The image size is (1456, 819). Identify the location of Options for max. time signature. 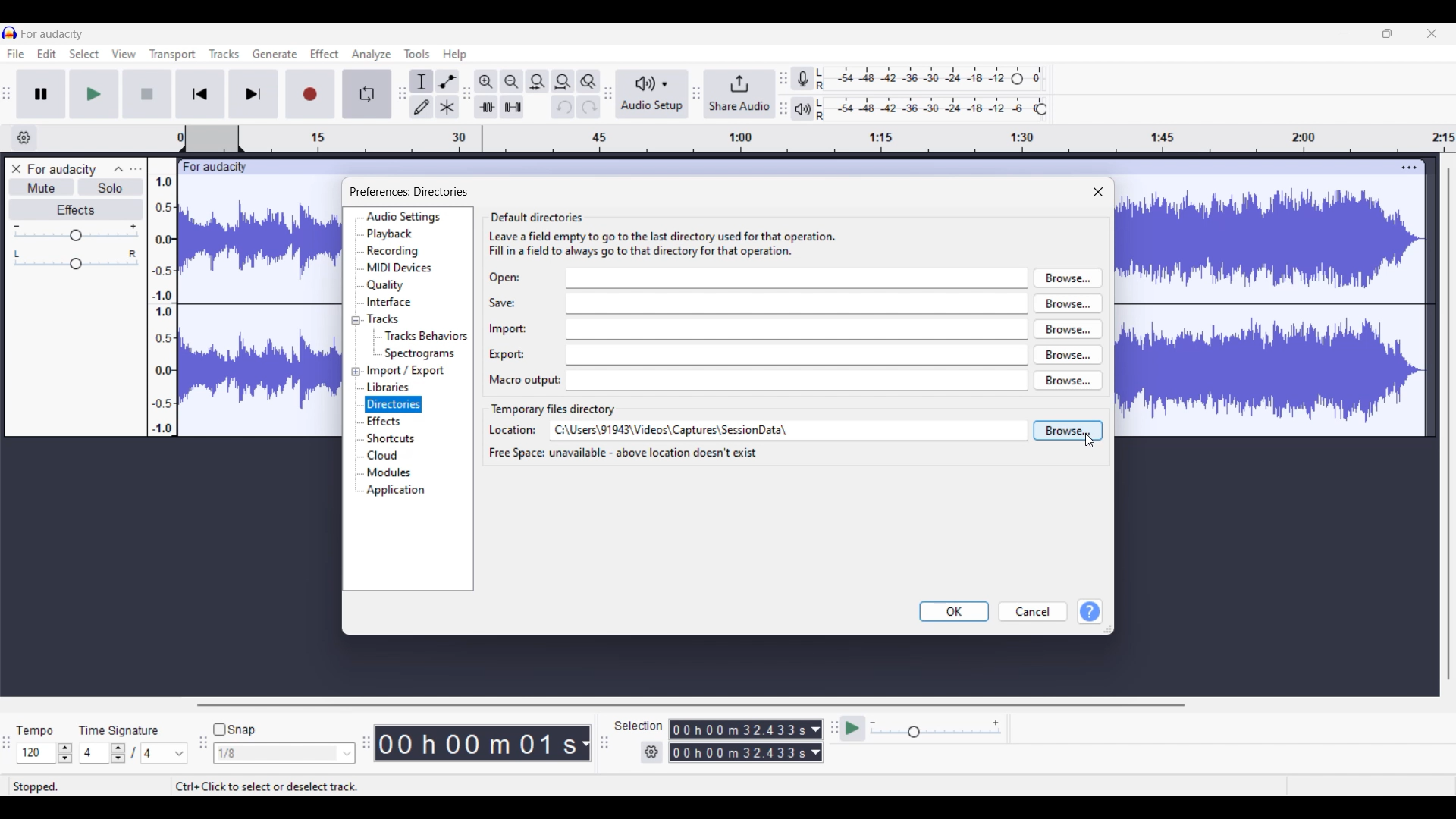
(165, 753).